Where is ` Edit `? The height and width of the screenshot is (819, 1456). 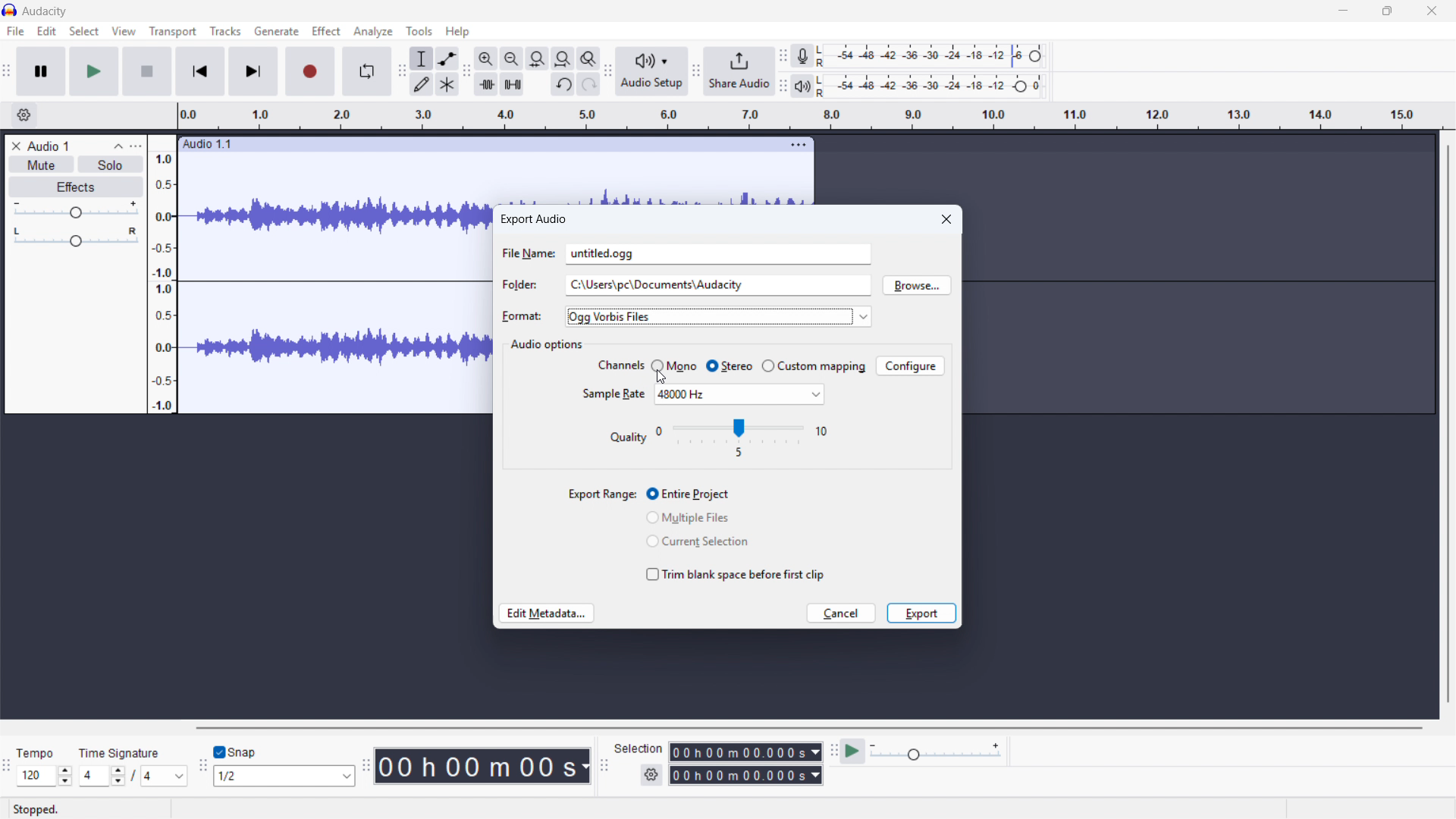  Edit  is located at coordinates (46, 32).